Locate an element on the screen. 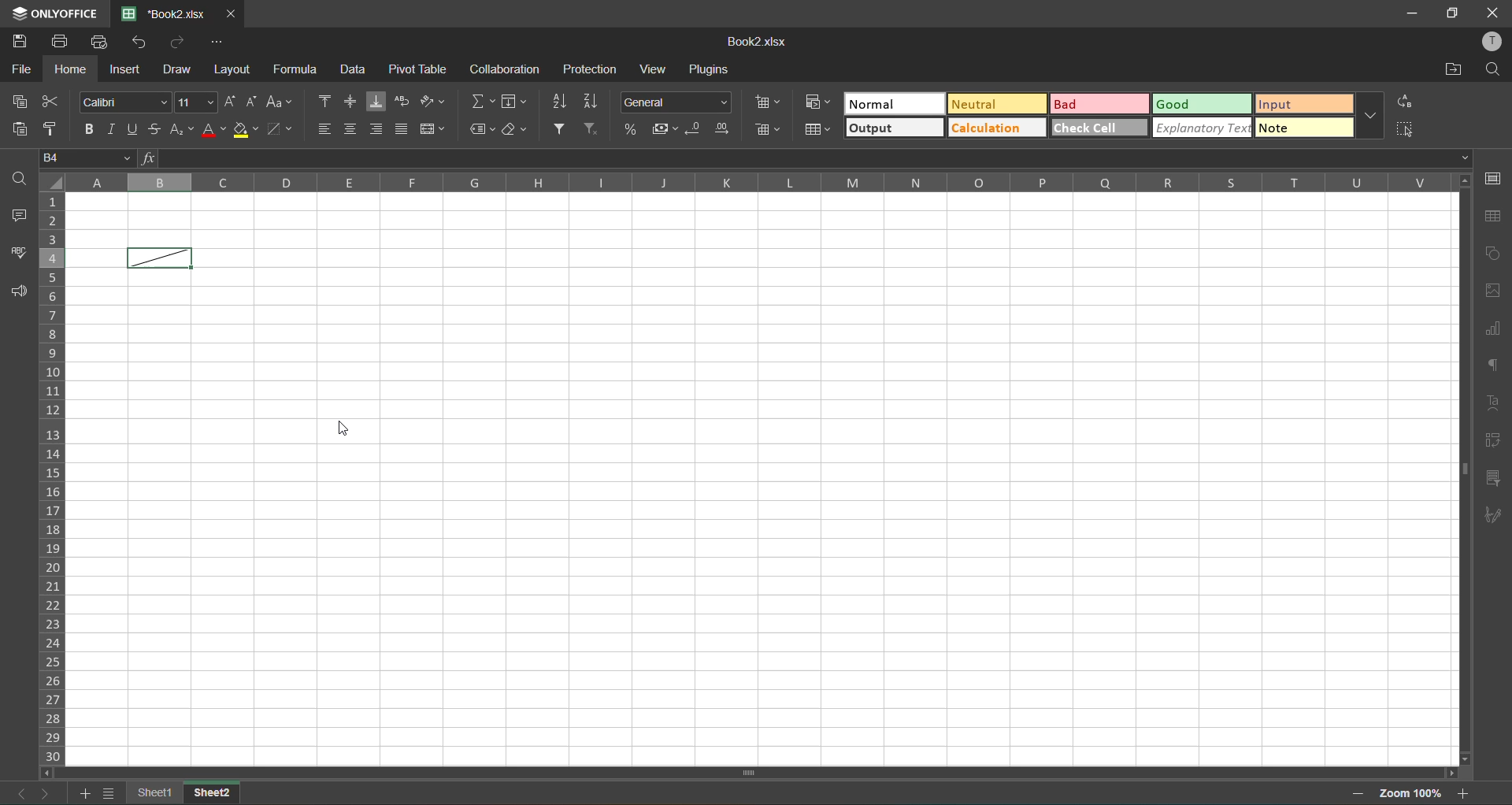  text is located at coordinates (1494, 402).